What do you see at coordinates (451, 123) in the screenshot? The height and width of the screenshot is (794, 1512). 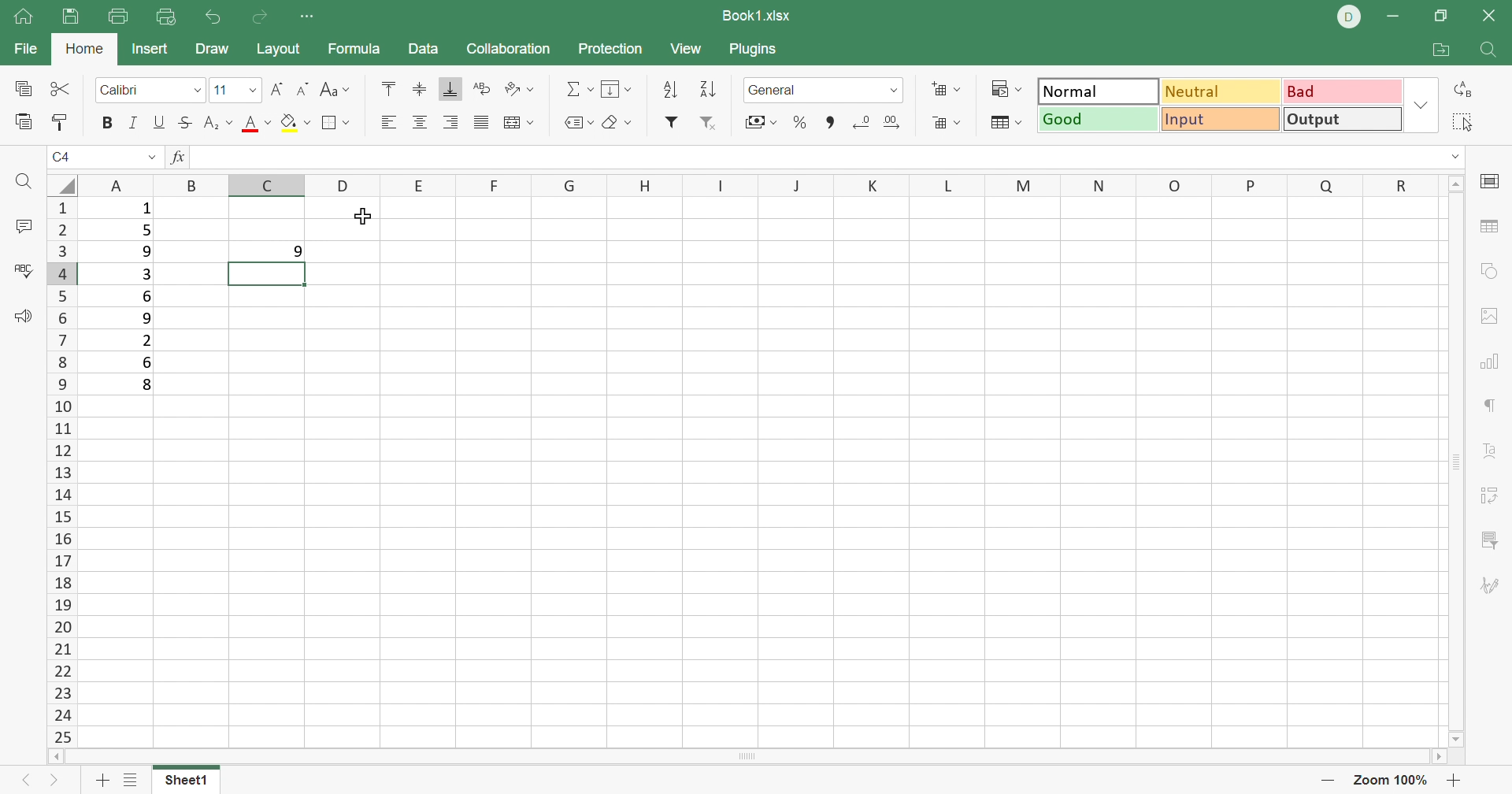 I see `Align Right` at bounding box center [451, 123].